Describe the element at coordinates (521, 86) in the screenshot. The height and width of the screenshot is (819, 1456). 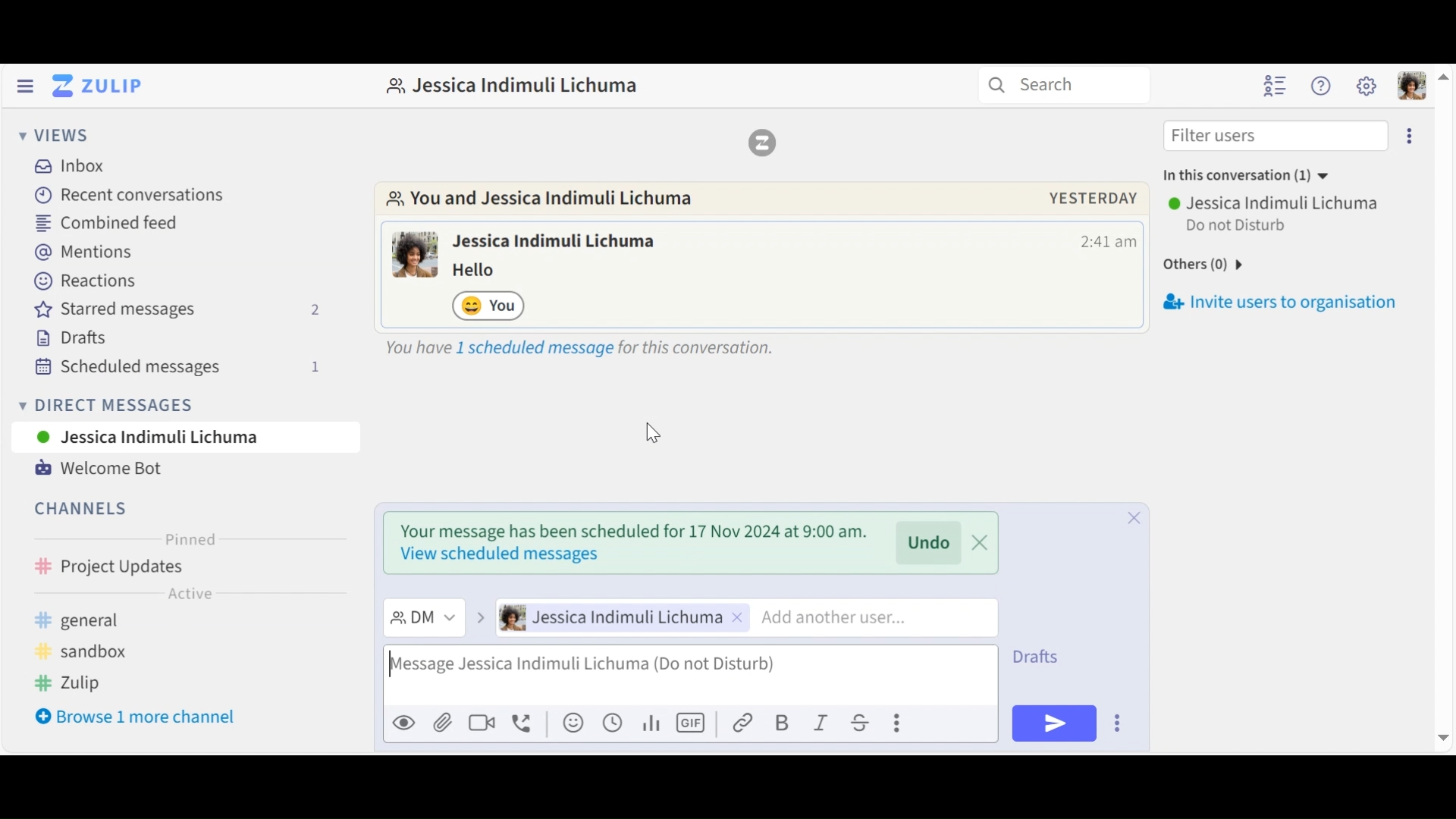
I see `Direct message with user` at that location.